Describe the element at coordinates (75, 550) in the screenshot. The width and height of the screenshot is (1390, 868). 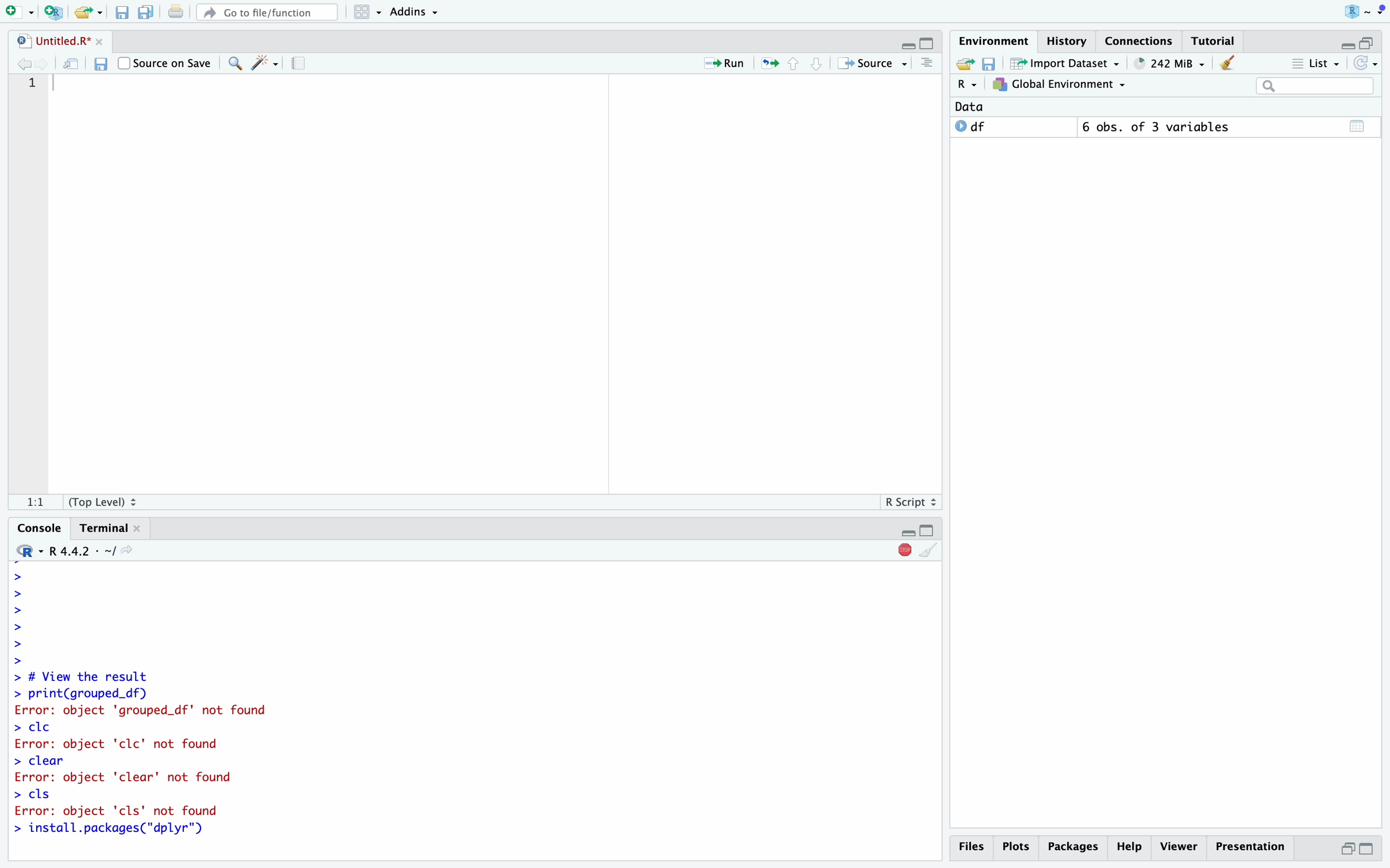
I see `R 4.4.2 - ~/` at that location.